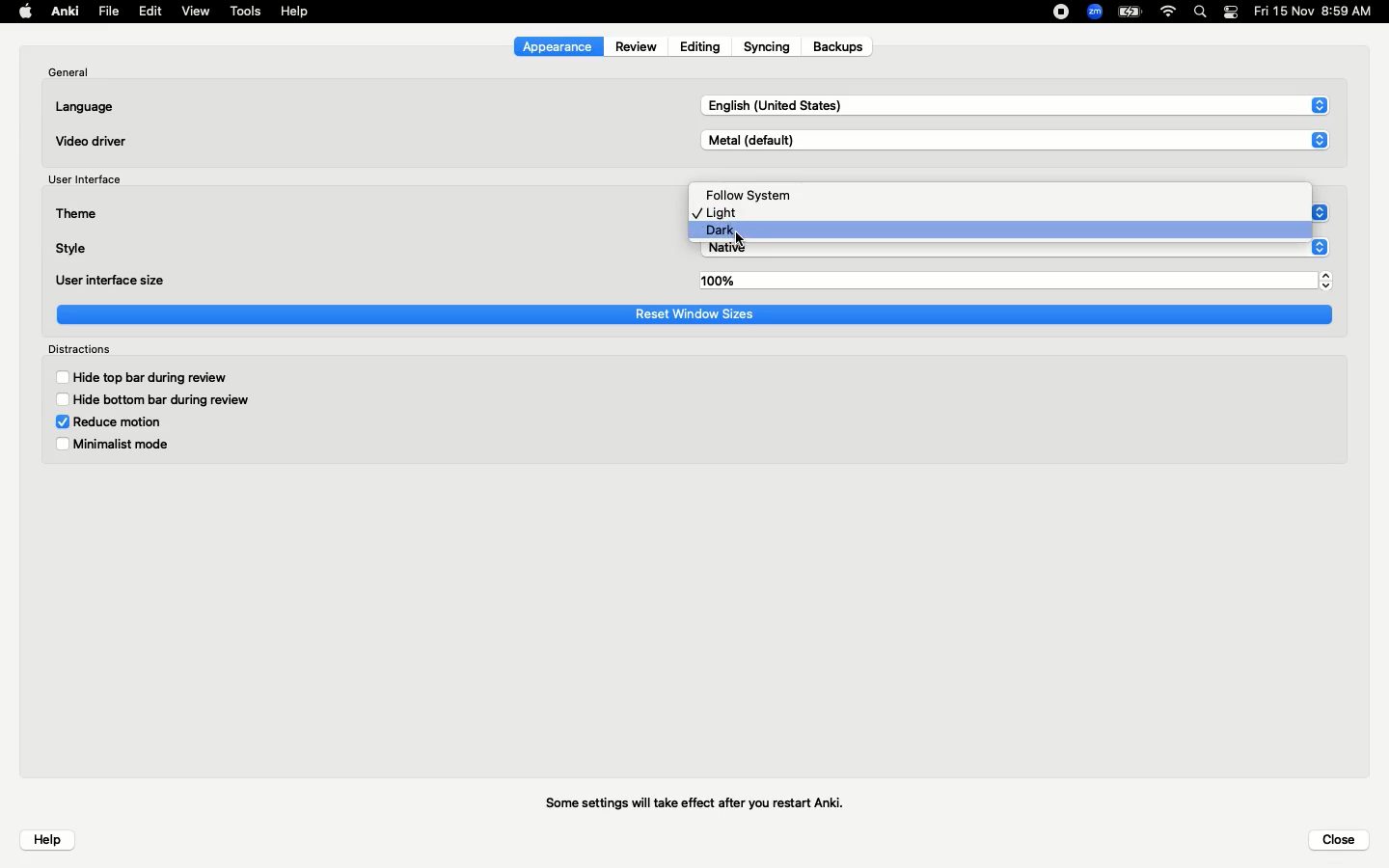  Describe the element at coordinates (72, 249) in the screenshot. I see `Style` at that location.